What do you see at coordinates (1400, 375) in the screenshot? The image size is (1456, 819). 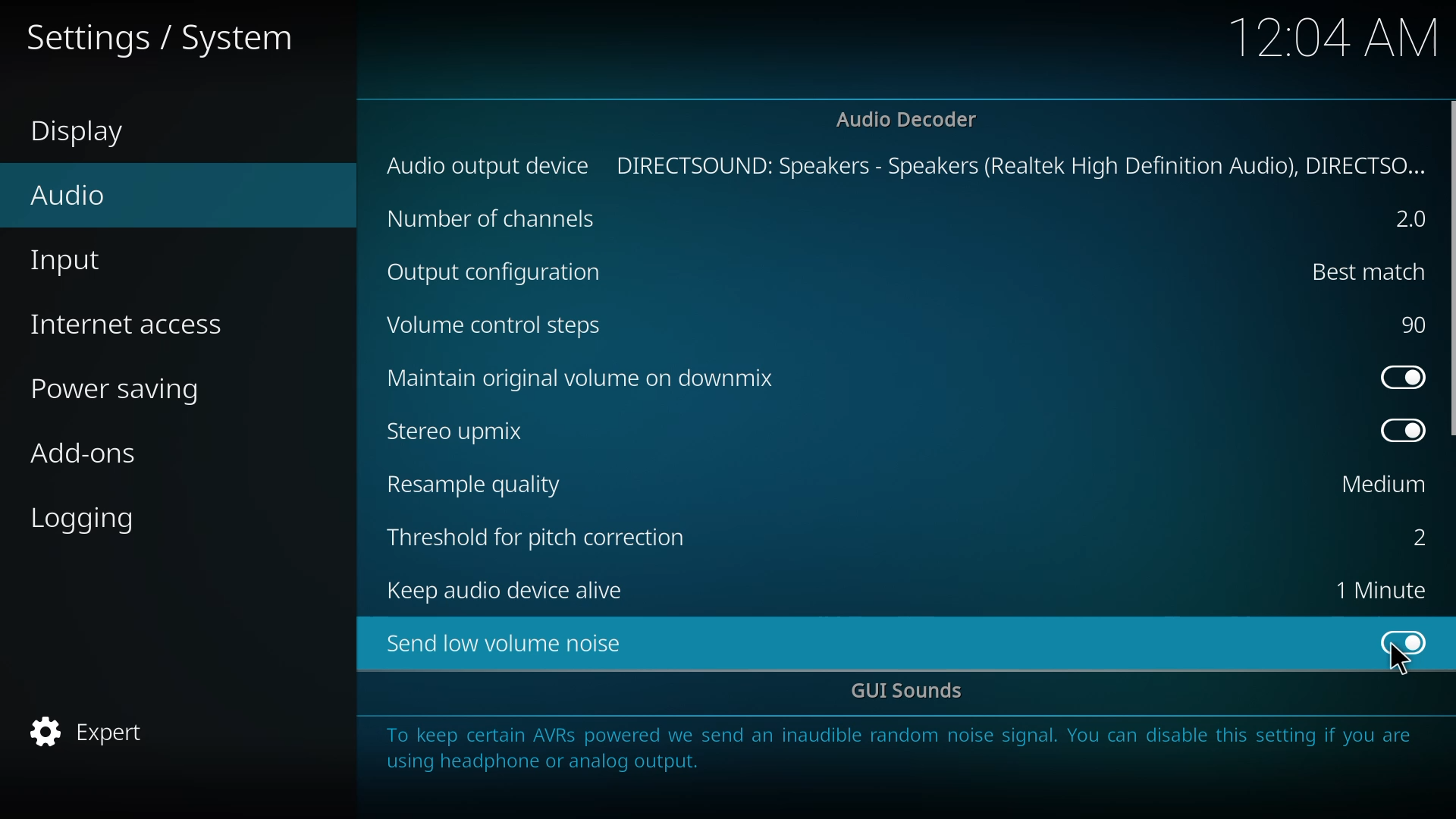 I see `enabled` at bounding box center [1400, 375].